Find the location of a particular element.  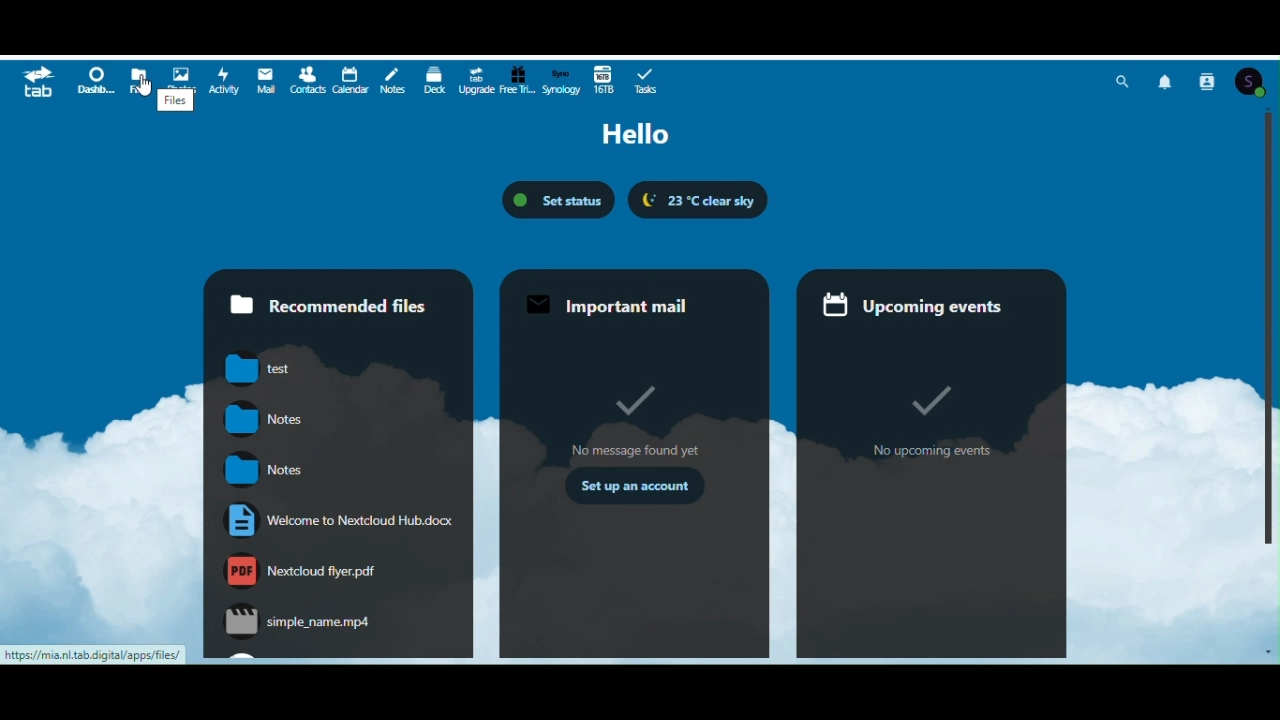

16 terabytes is located at coordinates (603, 81).